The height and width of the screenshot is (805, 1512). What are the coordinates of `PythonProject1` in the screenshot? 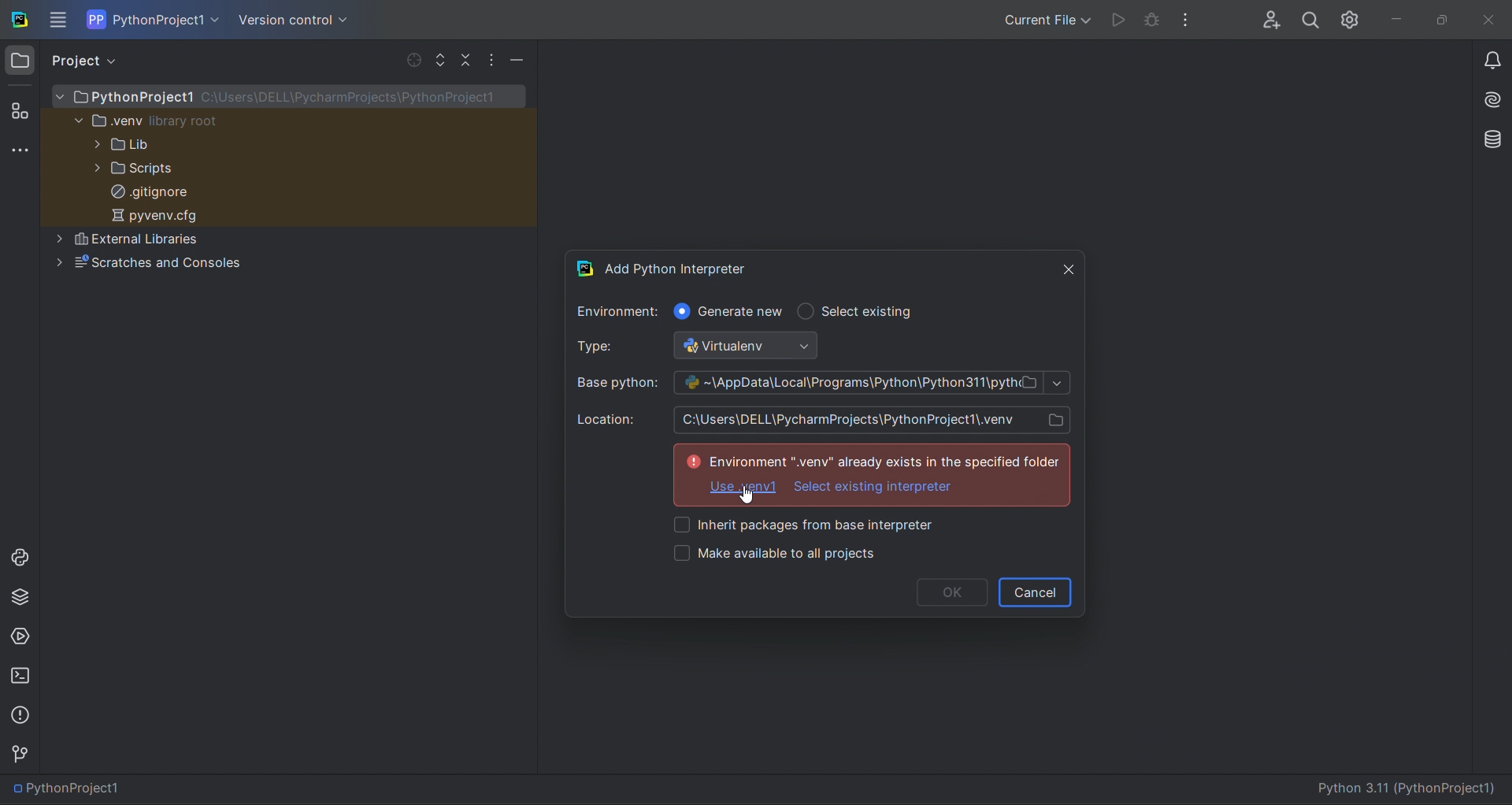 It's located at (72, 789).